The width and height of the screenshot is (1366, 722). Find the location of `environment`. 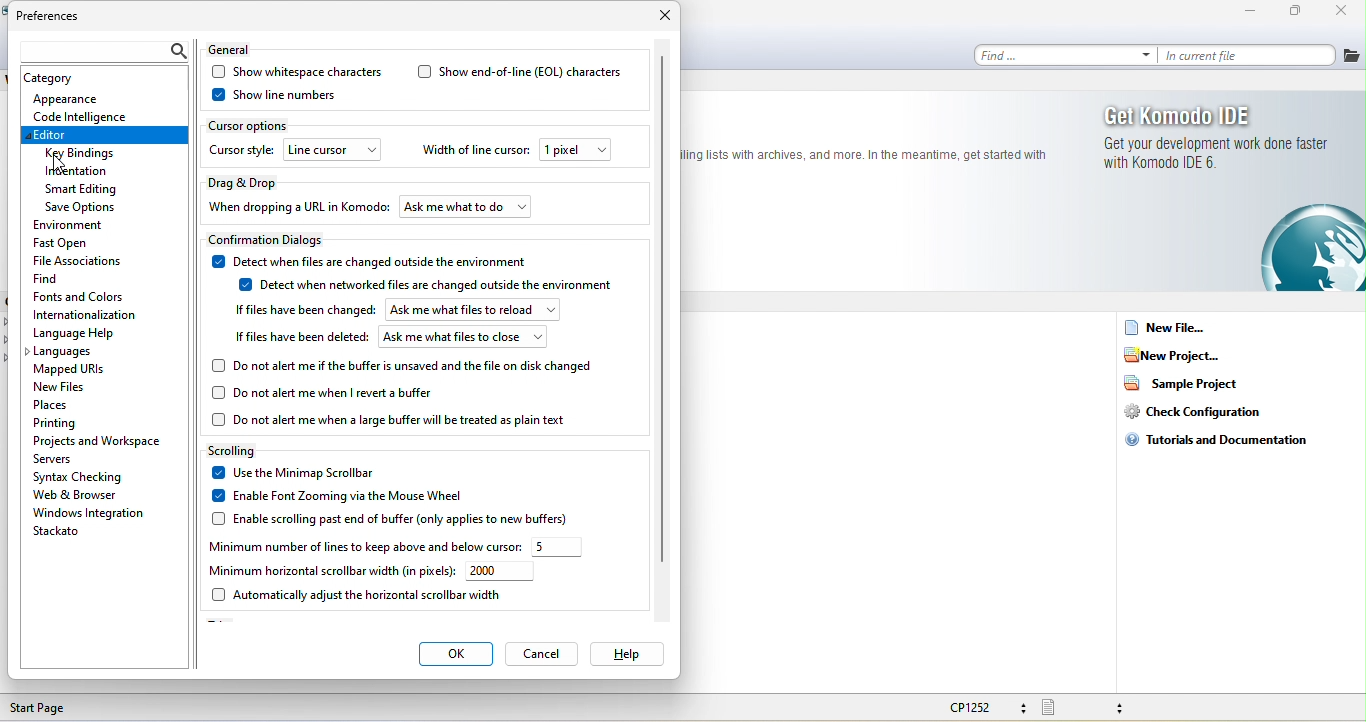

environment is located at coordinates (88, 226).